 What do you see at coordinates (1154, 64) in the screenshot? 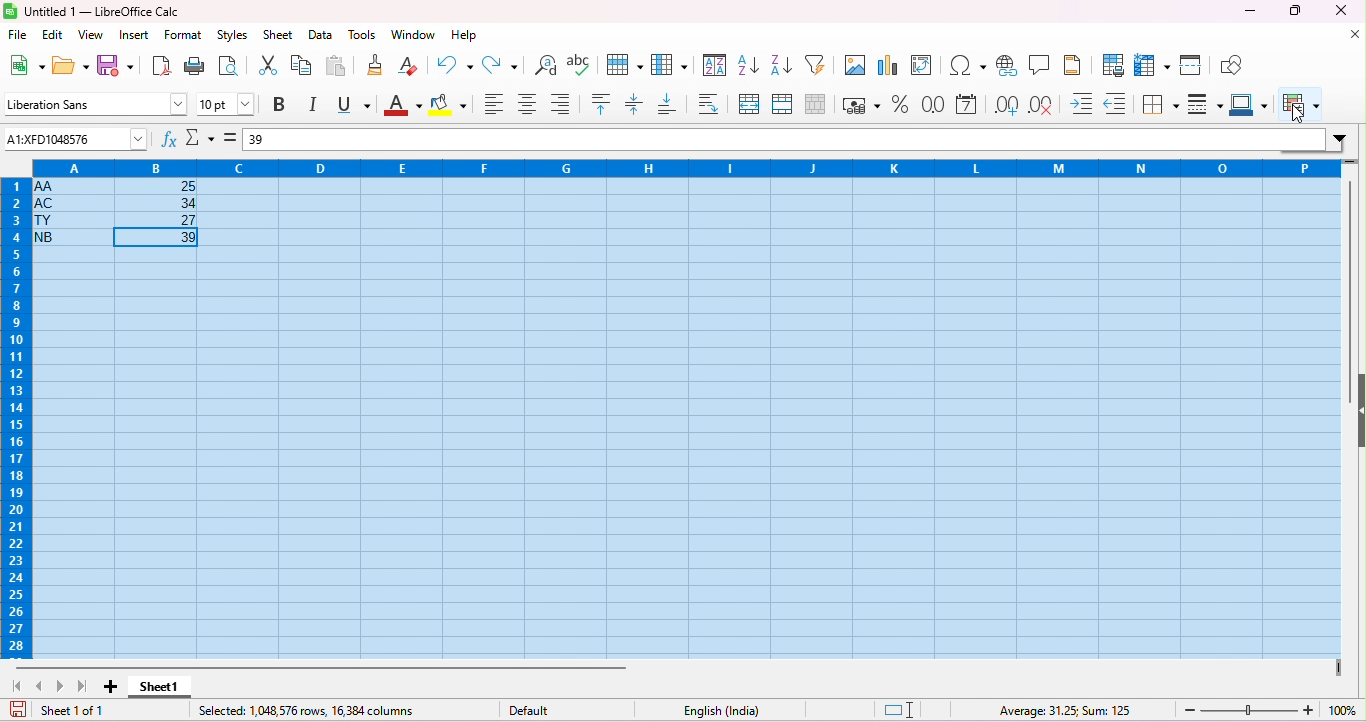
I see `freeze rows and columns` at bounding box center [1154, 64].